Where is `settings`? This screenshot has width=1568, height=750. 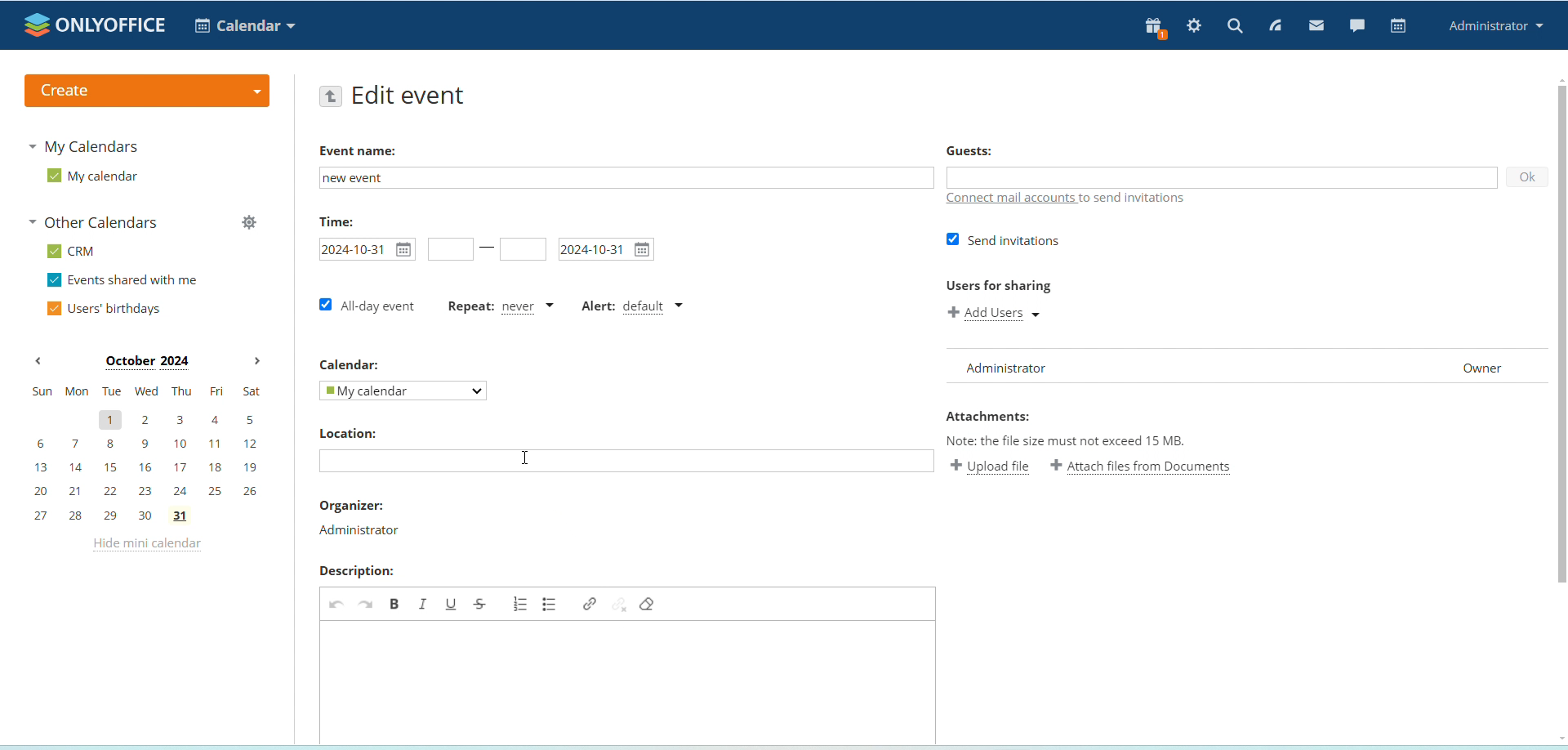
settings is located at coordinates (1195, 27).